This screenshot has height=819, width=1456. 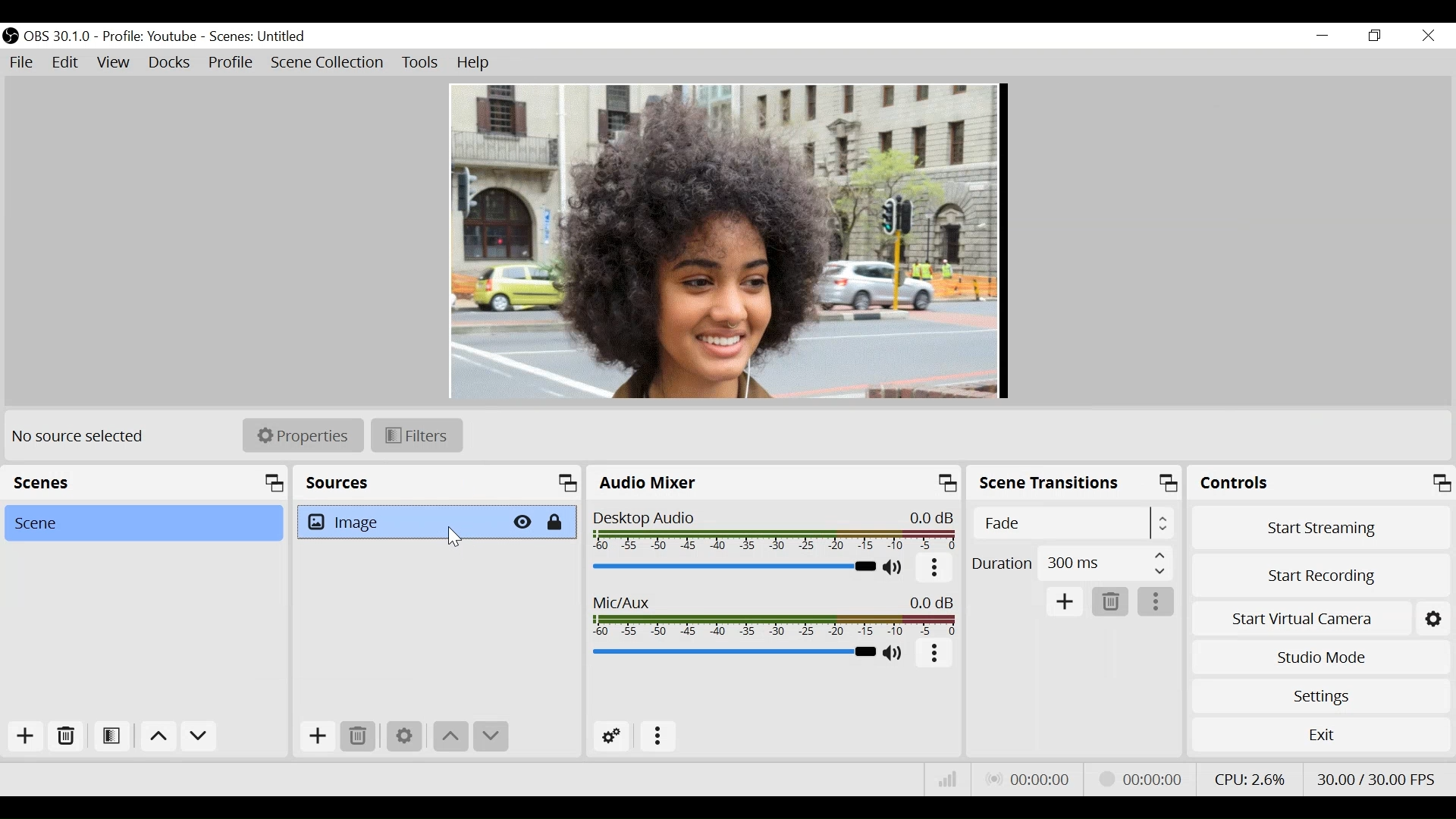 I want to click on minimize, so click(x=1322, y=36).